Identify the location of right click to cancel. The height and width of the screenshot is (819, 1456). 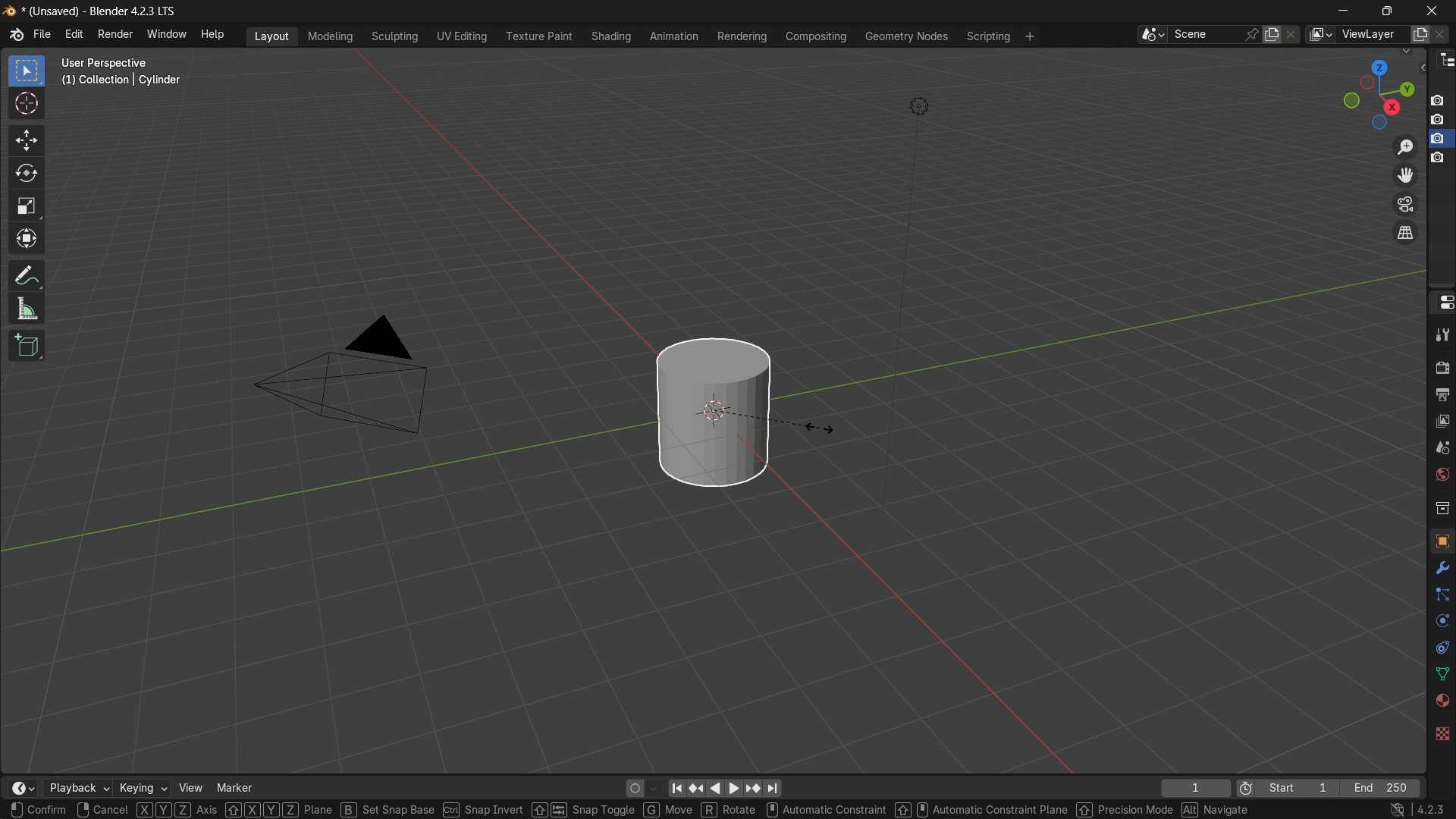
(102, 810).